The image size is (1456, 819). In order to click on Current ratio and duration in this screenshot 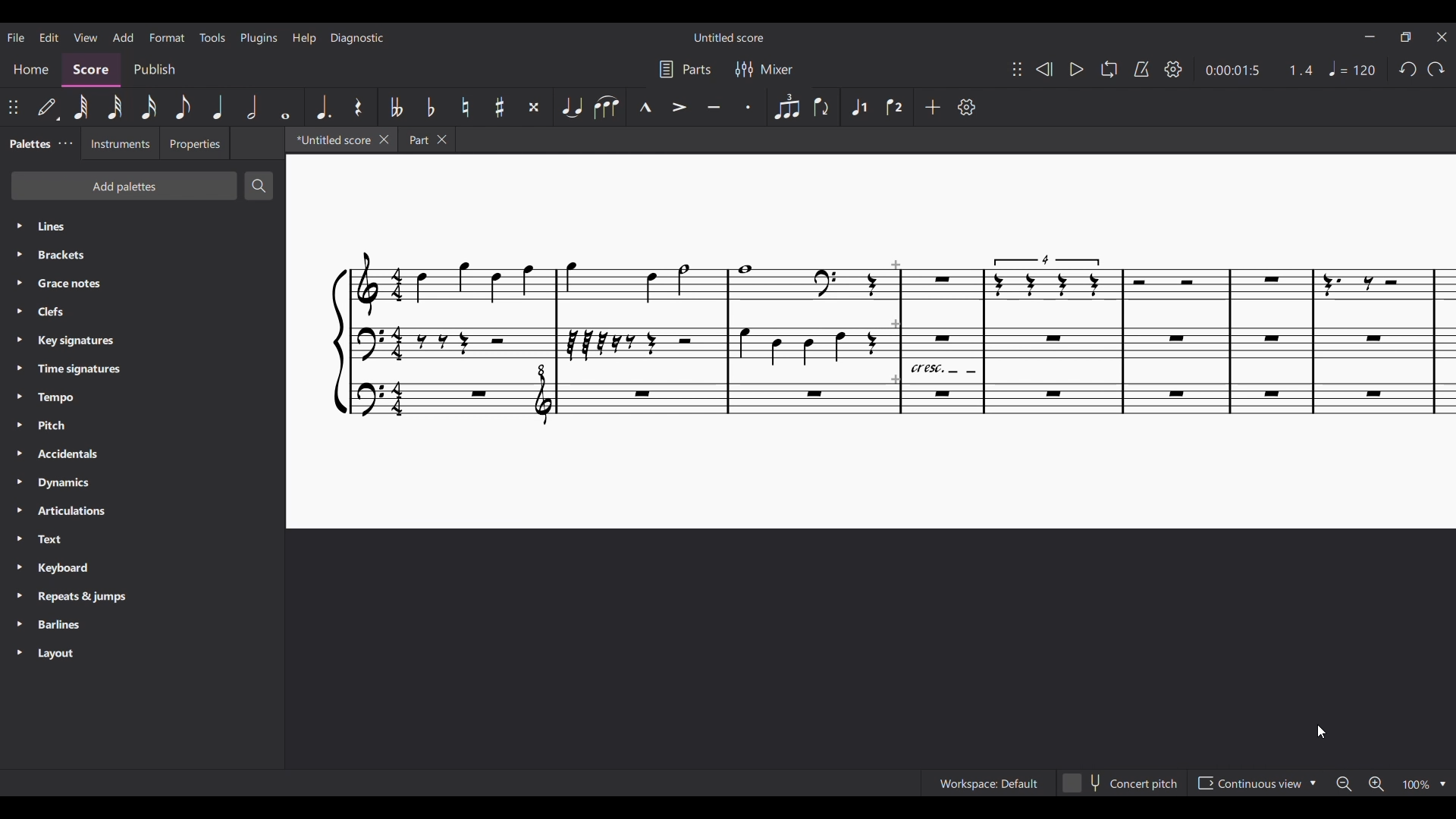, I will do `click(1260, 70)`.